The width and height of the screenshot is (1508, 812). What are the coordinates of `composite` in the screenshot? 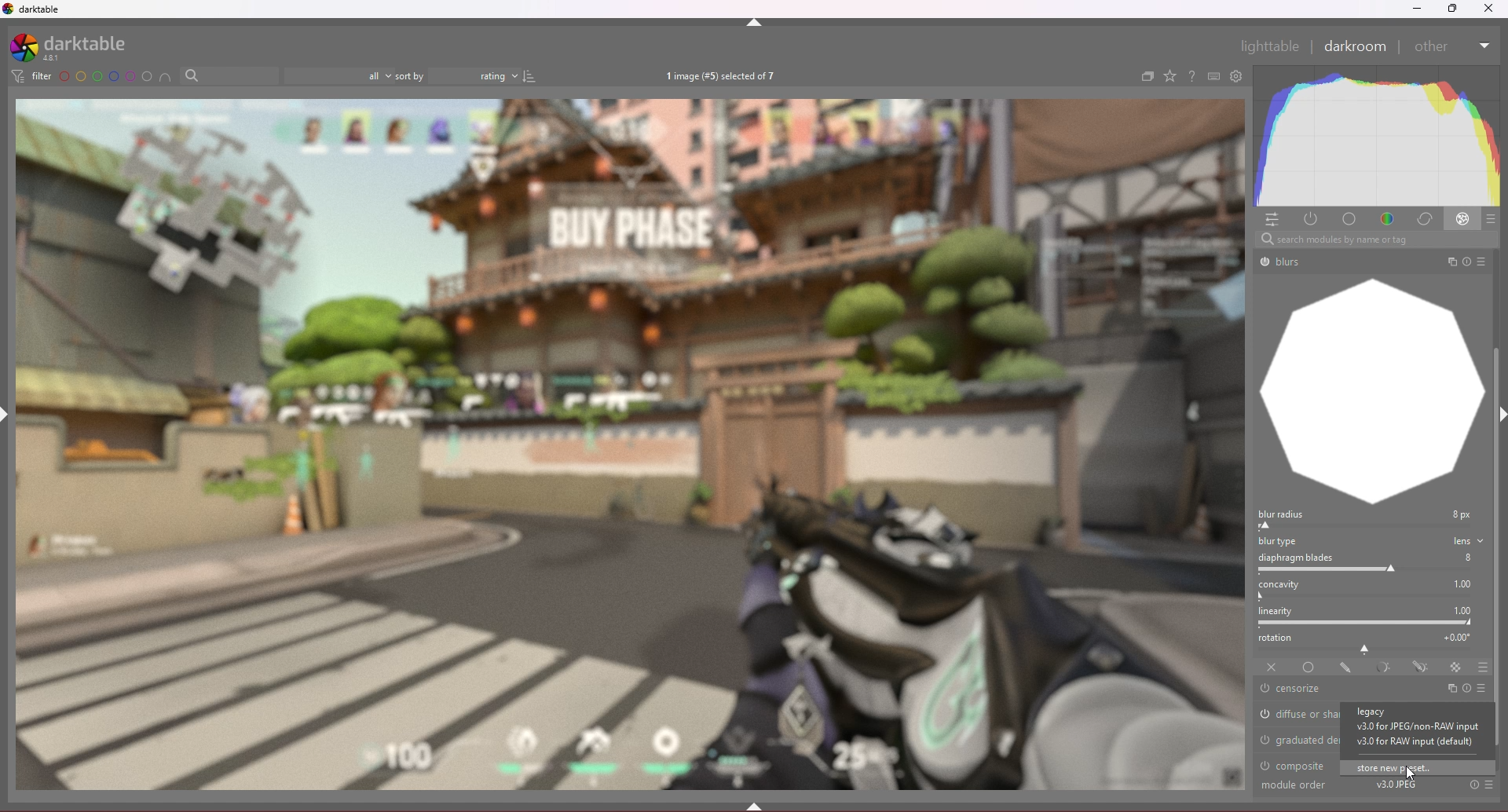 It's located at (1298, 765).